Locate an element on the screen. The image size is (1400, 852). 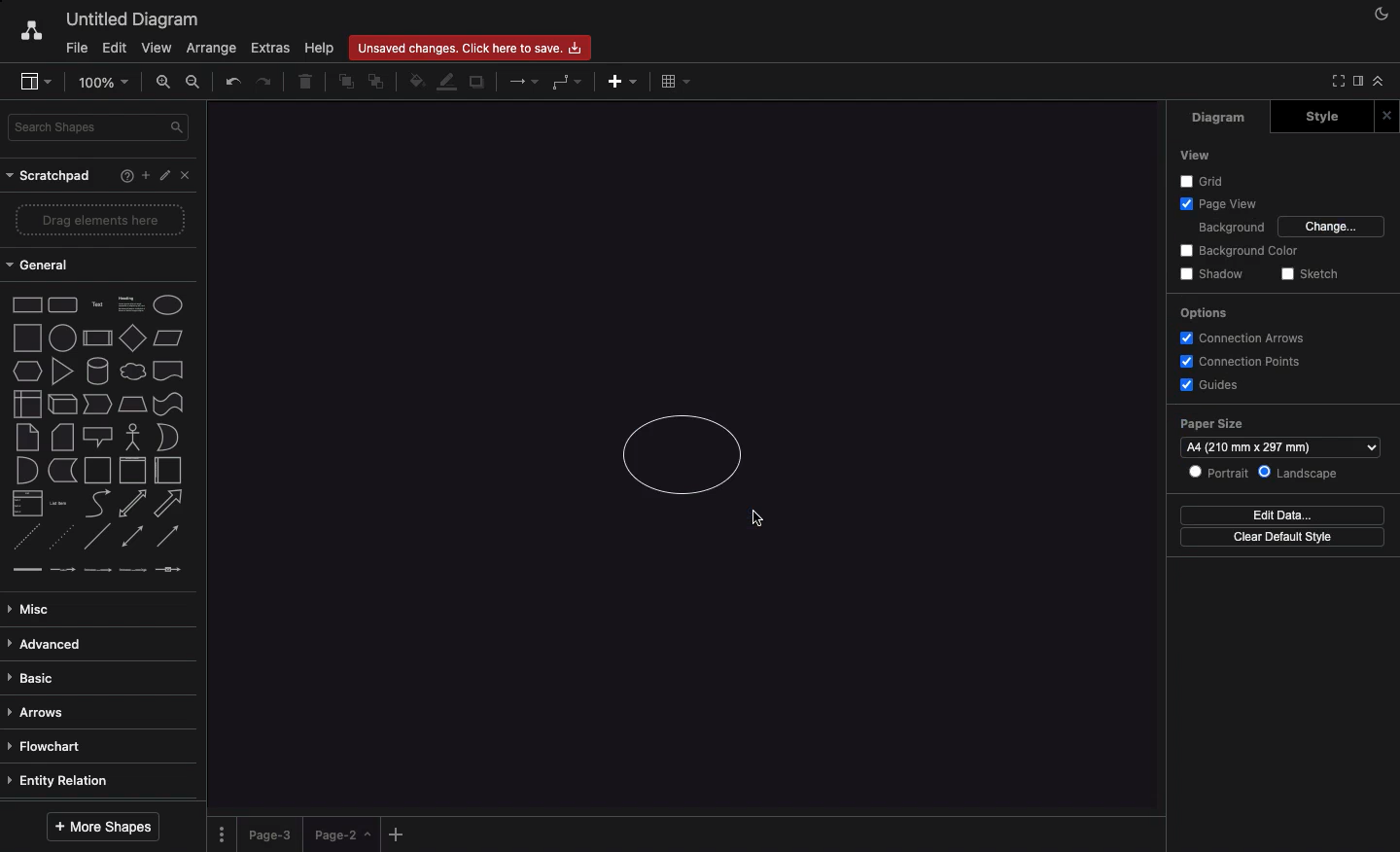
Waypoints is located at coordinates (564, 83).